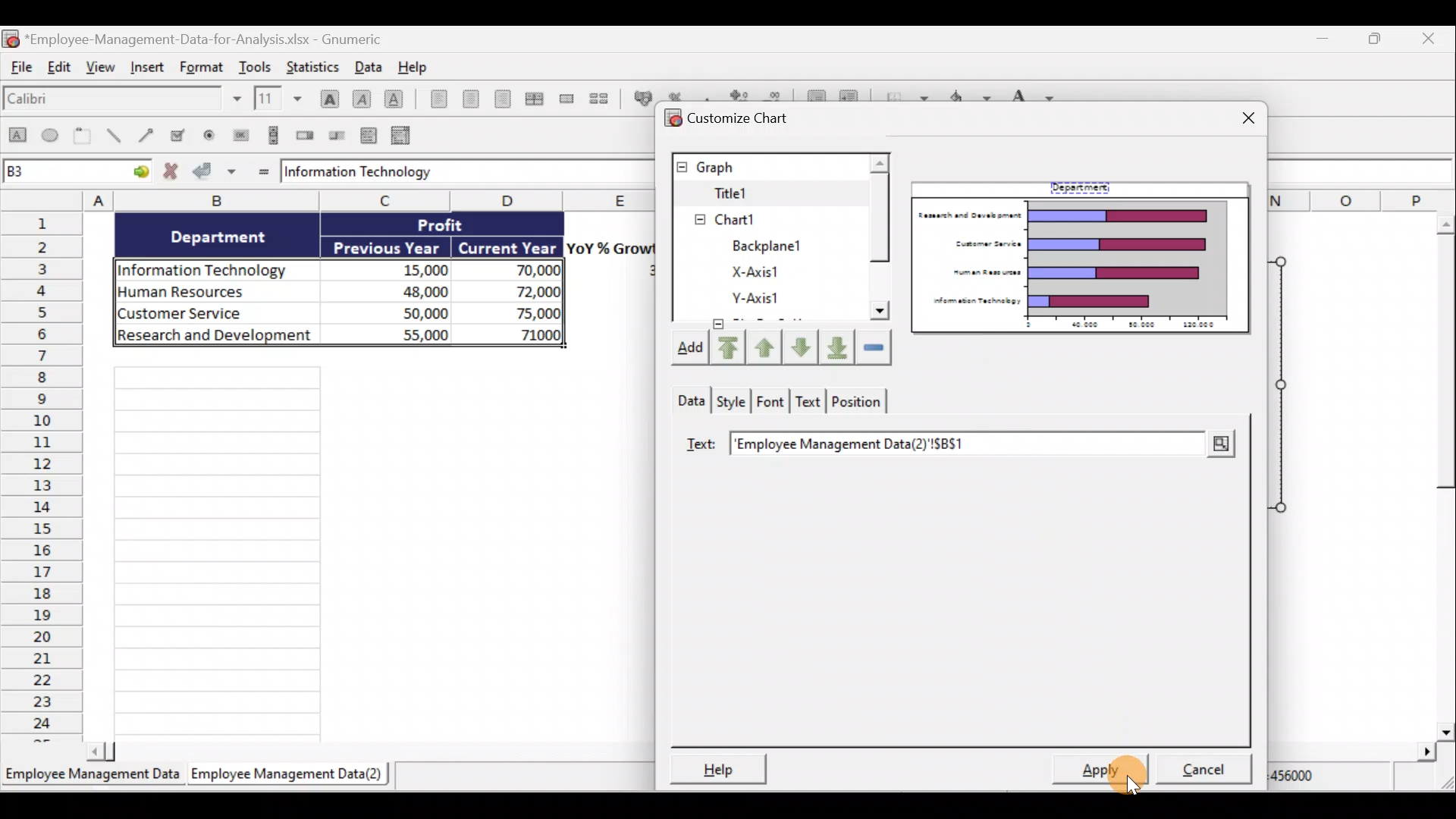 The height and width of the screenshot is (819, 1456). Describe the element at coordinates (1432, 39) in the screenshot. I see `Close` at that location.